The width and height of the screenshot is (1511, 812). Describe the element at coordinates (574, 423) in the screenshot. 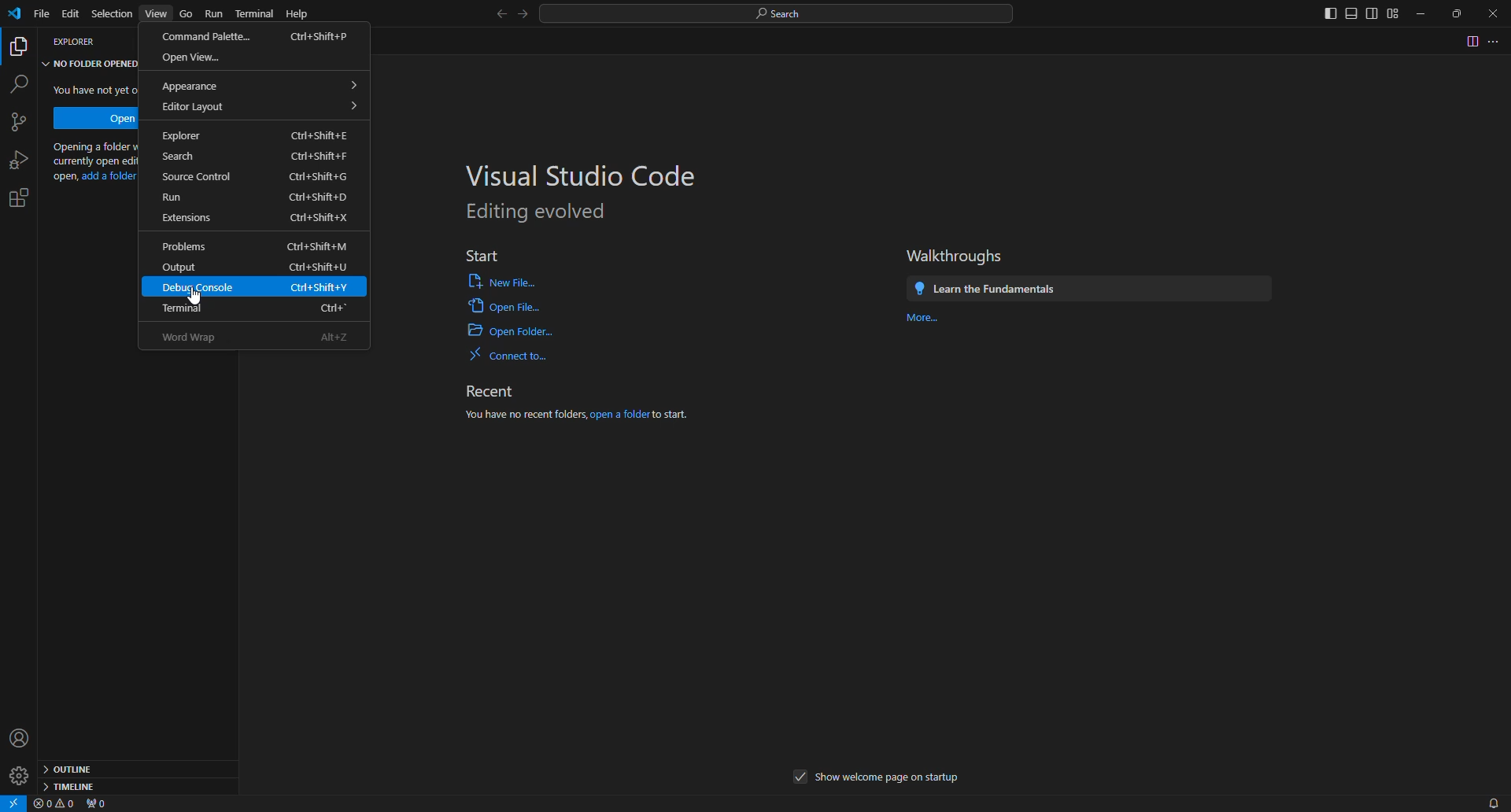

I see `You have no recent folder, open a folder to start` at that location.